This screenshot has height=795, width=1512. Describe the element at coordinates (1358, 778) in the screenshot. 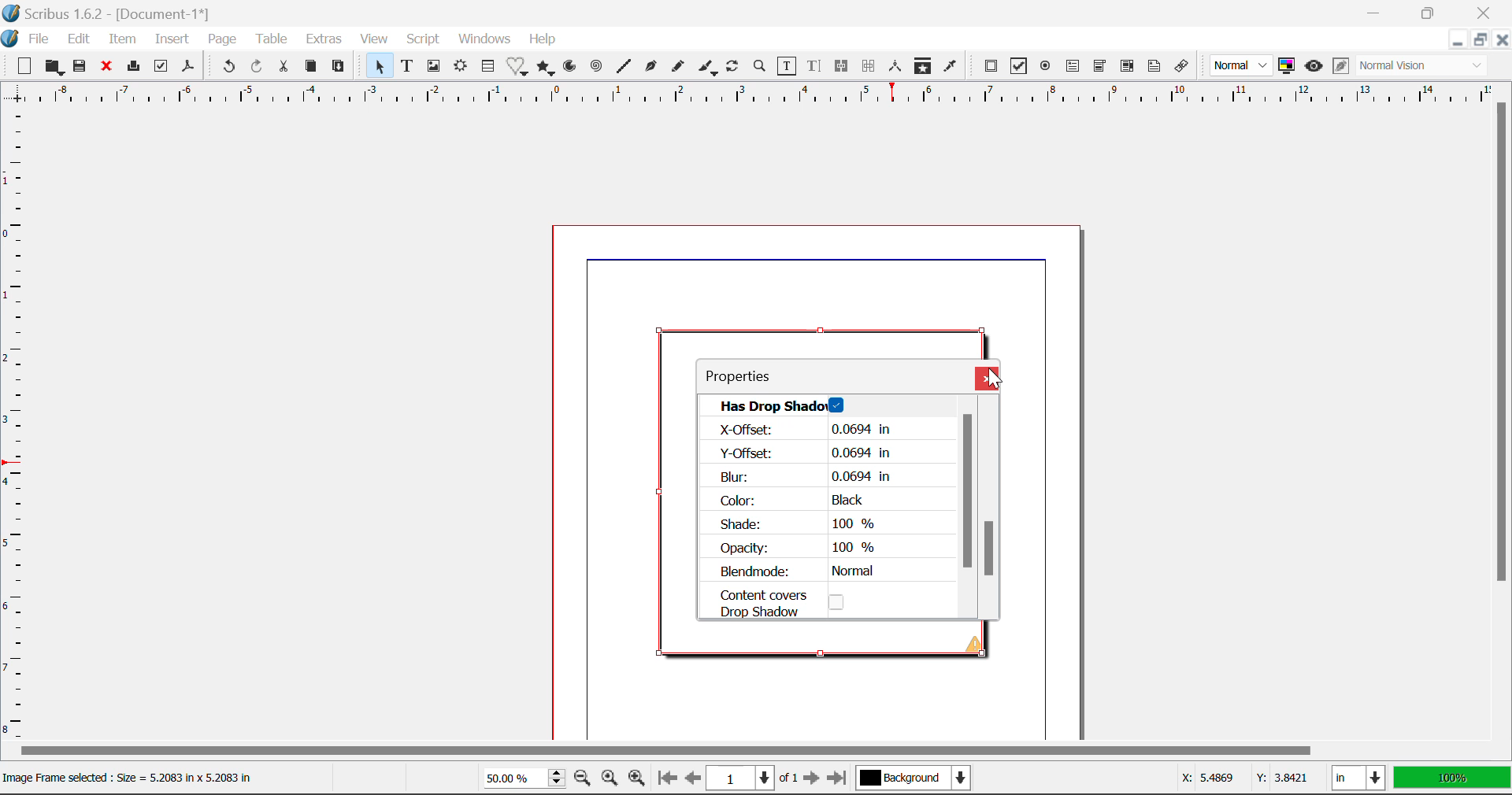

I see `in` at that location.